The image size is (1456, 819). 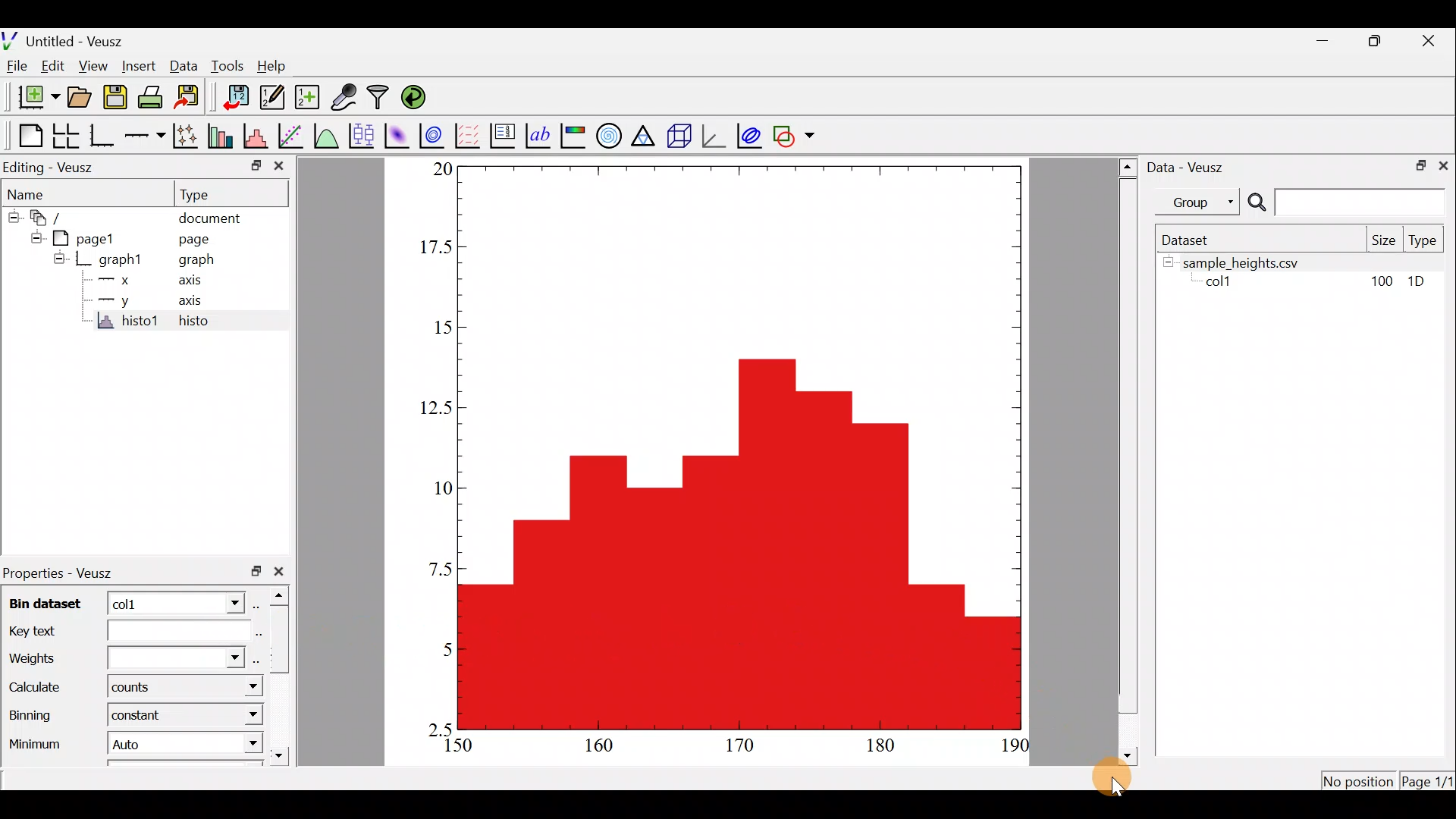 I want to click on save the document, so click(x=115, y=98).